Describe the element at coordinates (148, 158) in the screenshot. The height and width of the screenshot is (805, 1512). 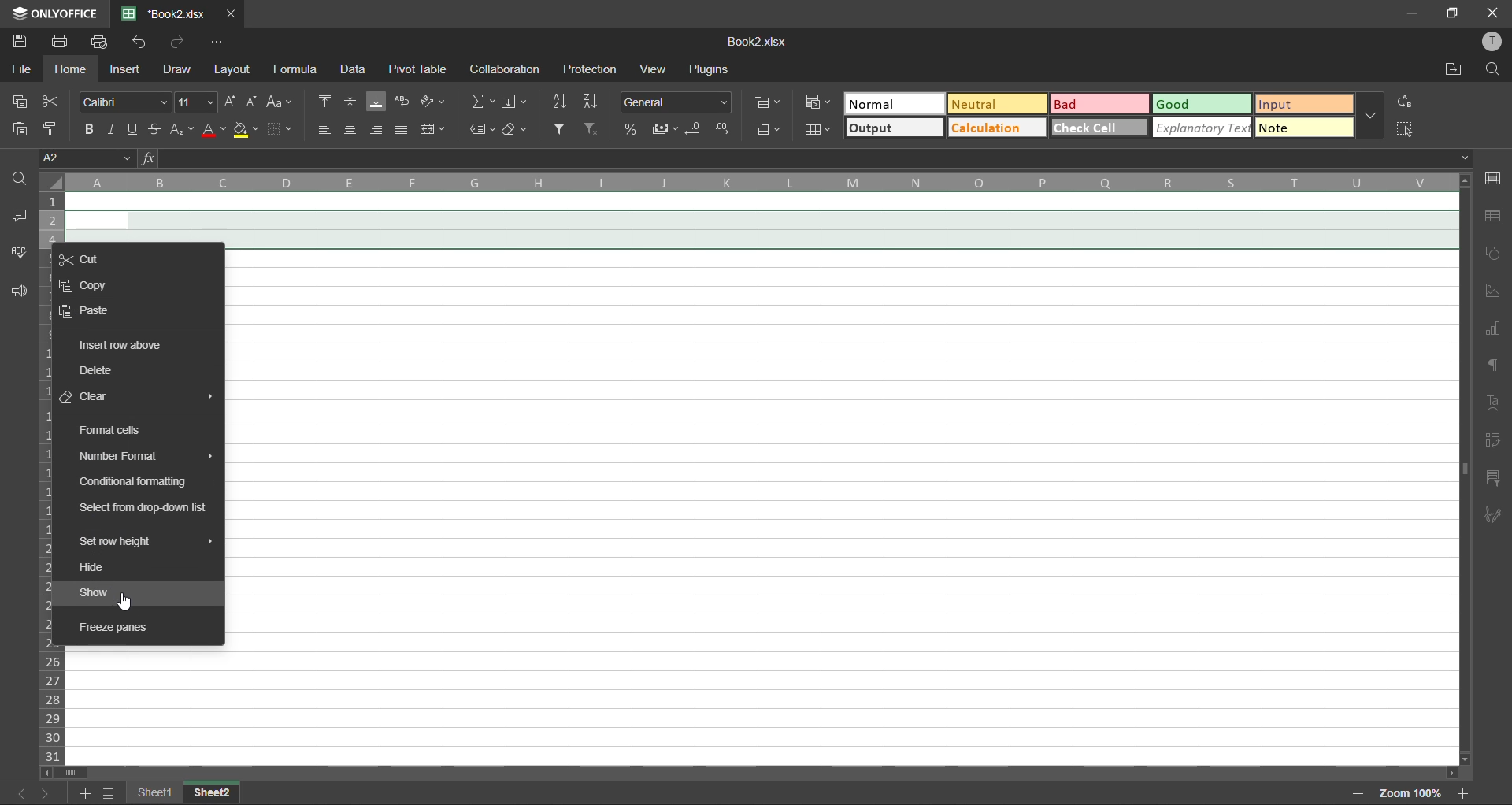
I see `fx (formula)` at that location.